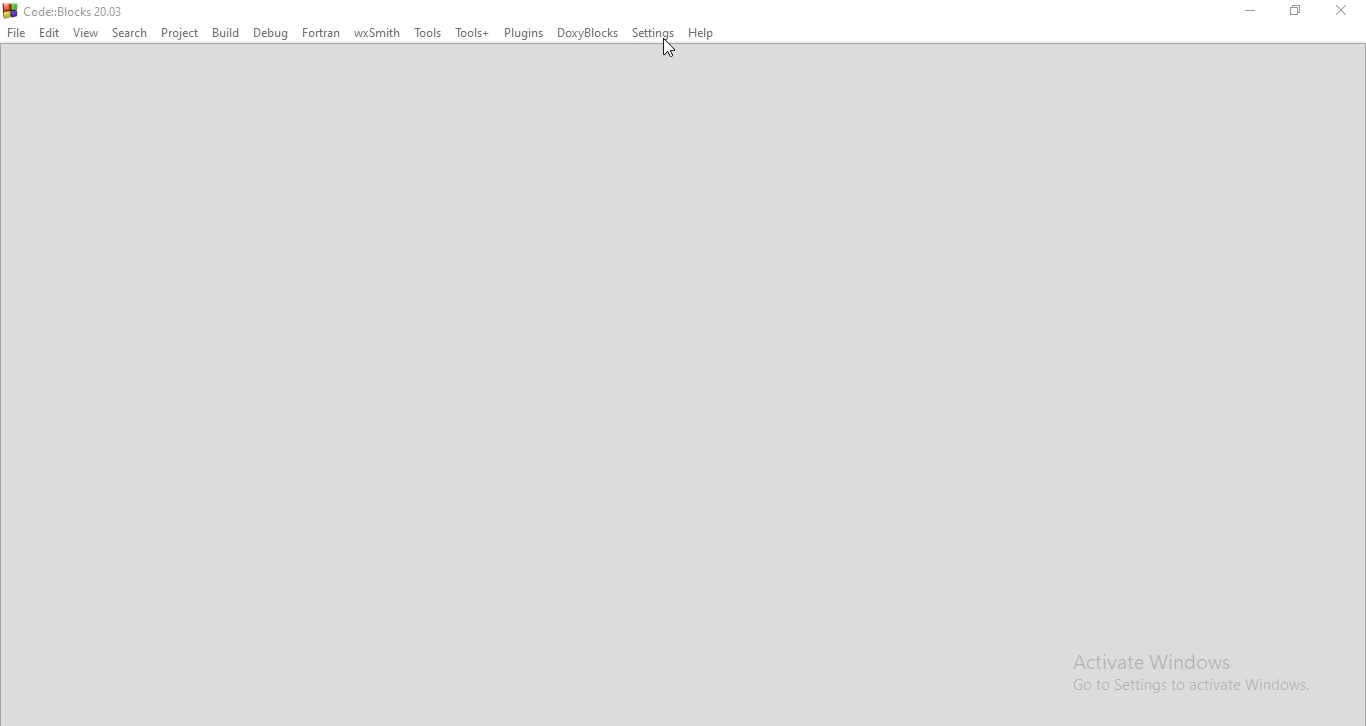 This screenshot has height=726, width=1366. I want to click on wxSmith, so click(375, 33).